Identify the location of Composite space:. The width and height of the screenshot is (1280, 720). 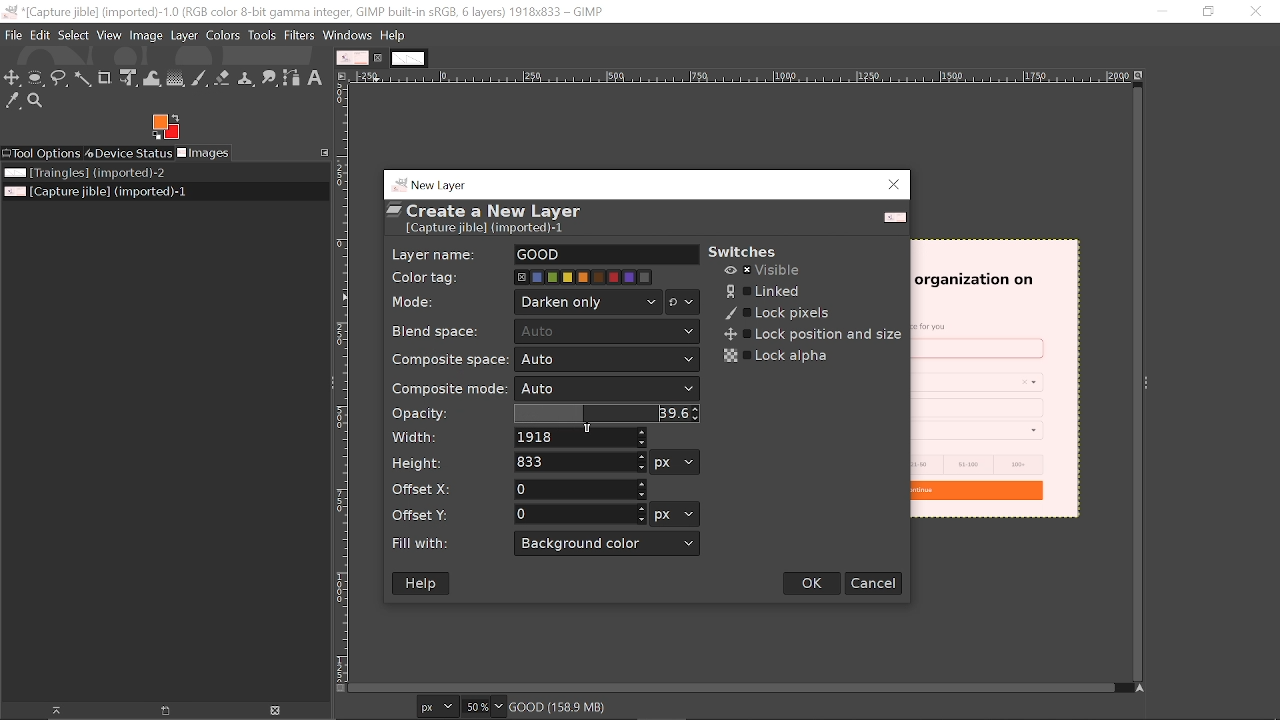
(441, 359).